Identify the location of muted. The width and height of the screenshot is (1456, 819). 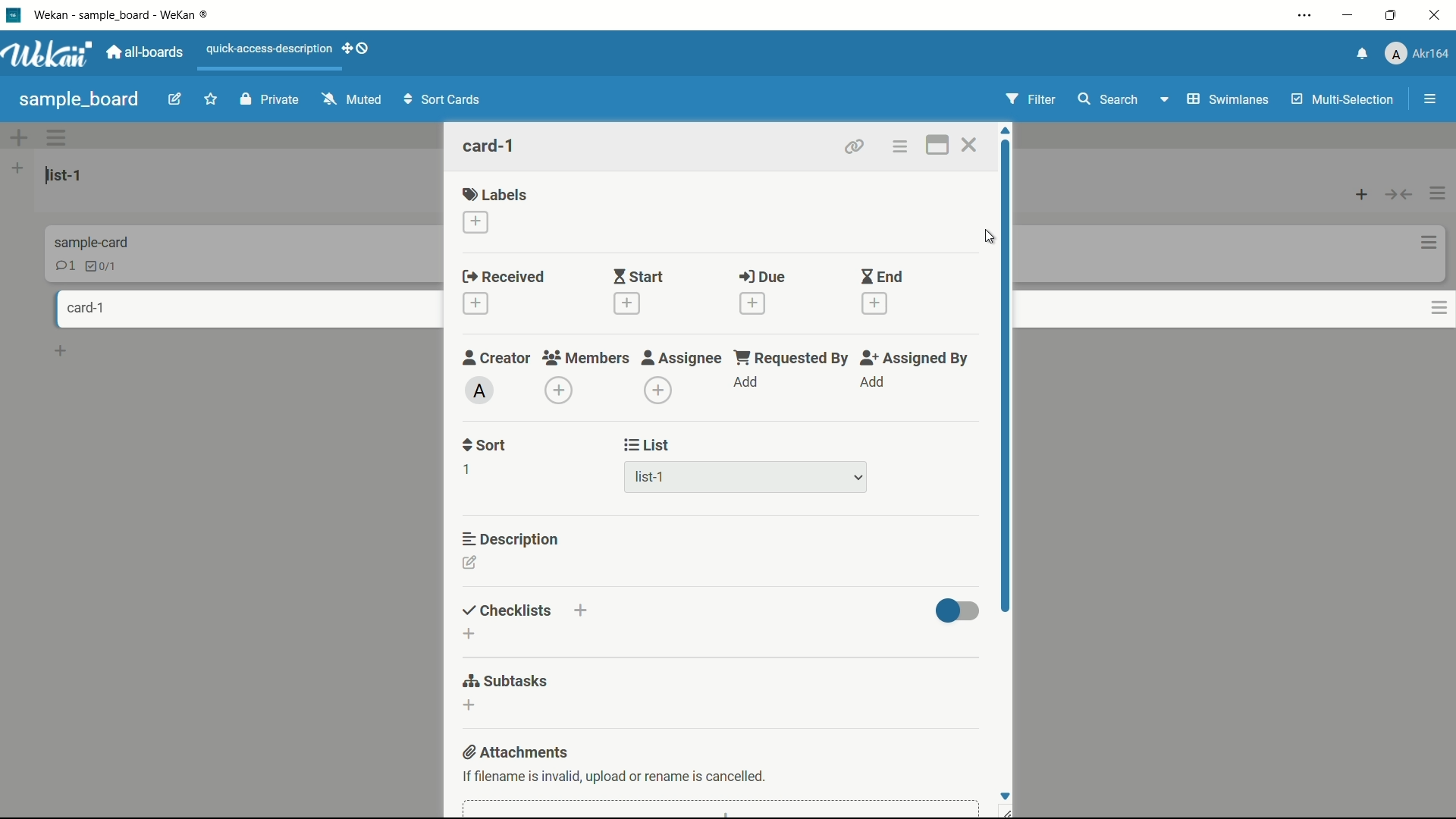
(351, 103).